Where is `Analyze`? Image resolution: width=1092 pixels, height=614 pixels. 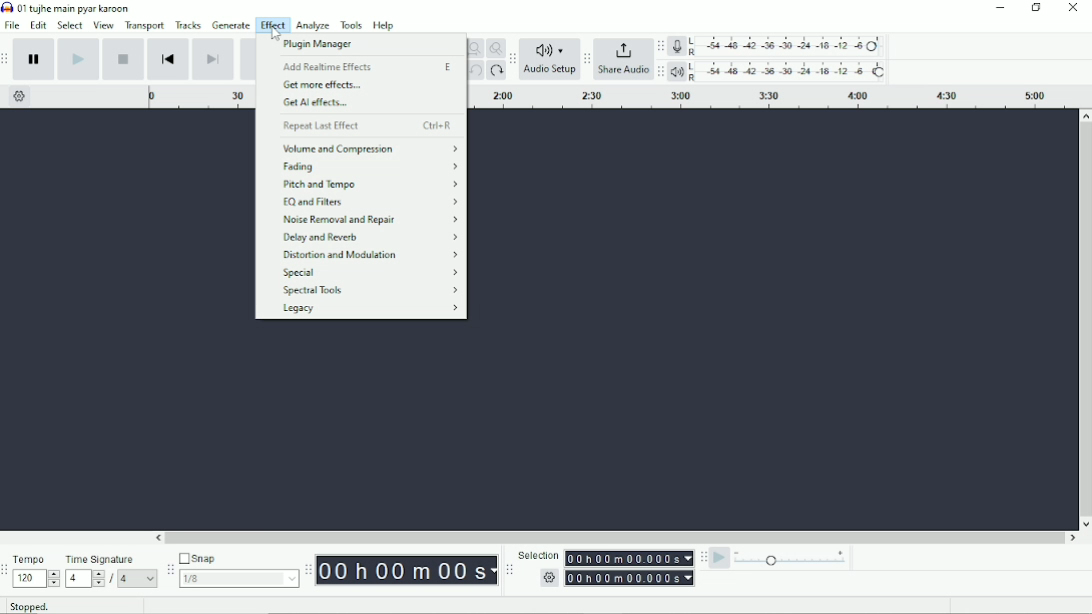
Analyze is located at coordinates (313, 25).